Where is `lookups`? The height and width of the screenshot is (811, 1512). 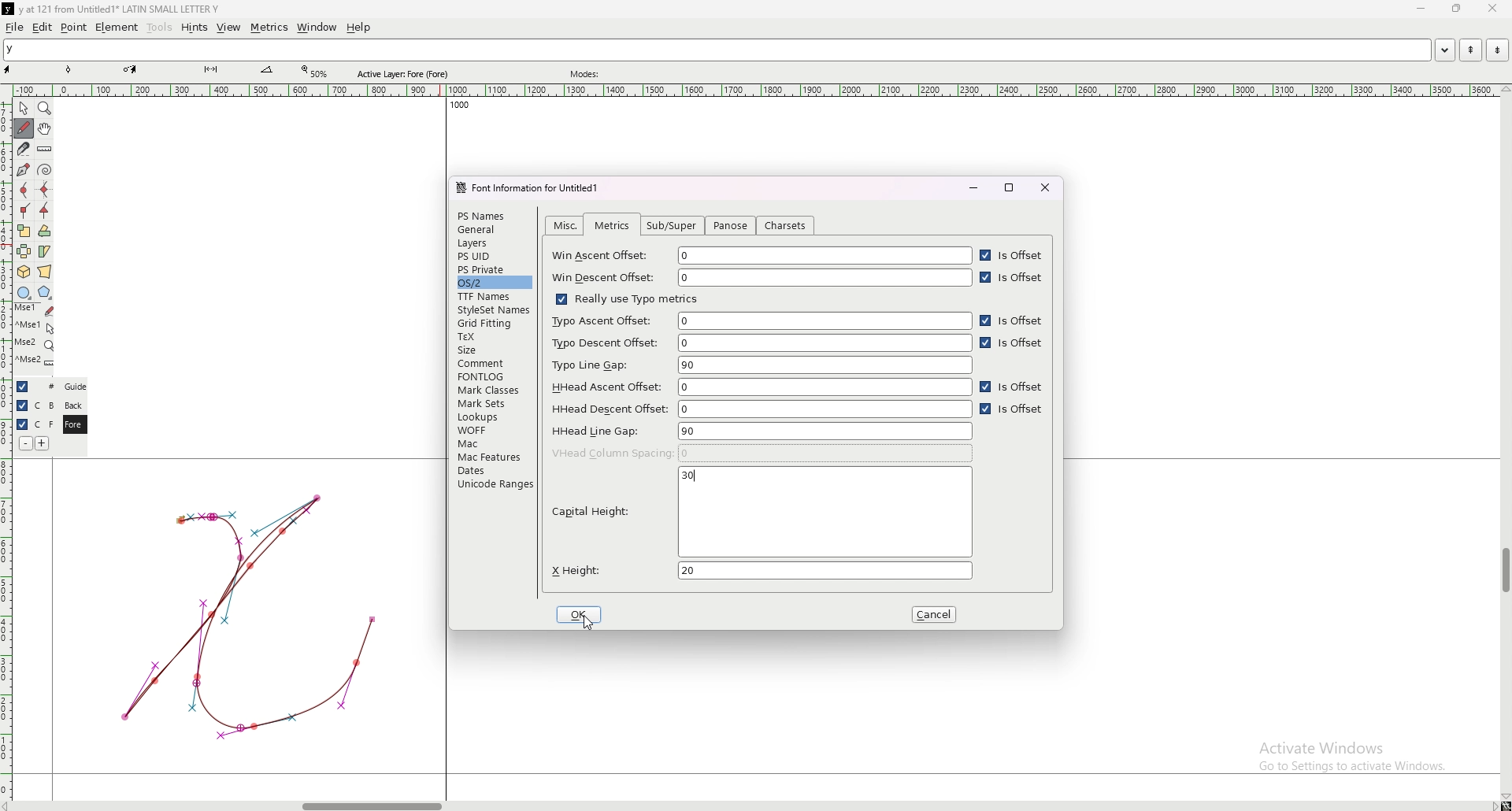
lookups is located at coordinates (491, 417).